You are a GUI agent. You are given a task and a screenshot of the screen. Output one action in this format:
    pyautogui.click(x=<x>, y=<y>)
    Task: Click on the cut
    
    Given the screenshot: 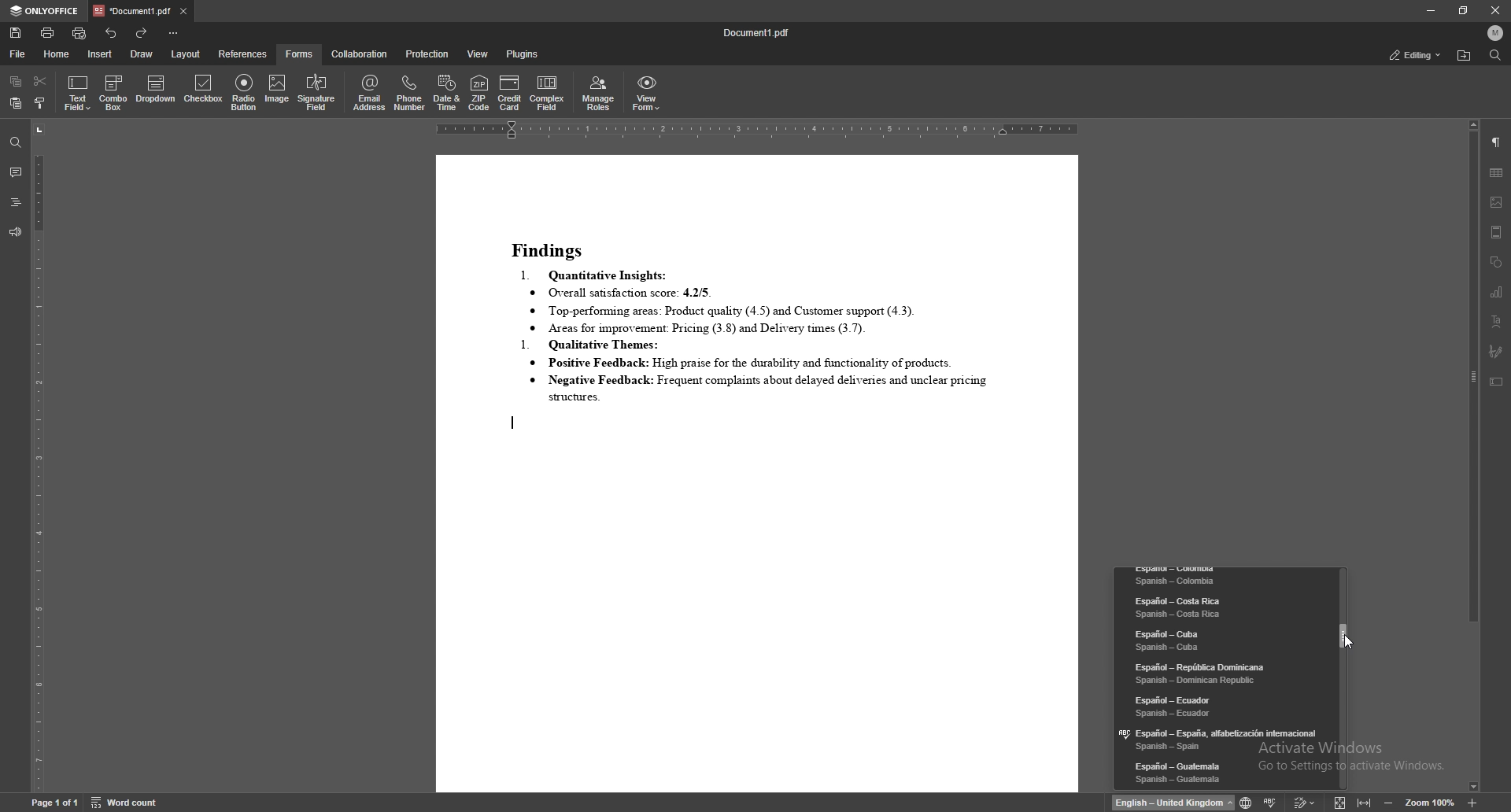 What is the action you would take?
    pyautogui.click(x=41, y=81)
    